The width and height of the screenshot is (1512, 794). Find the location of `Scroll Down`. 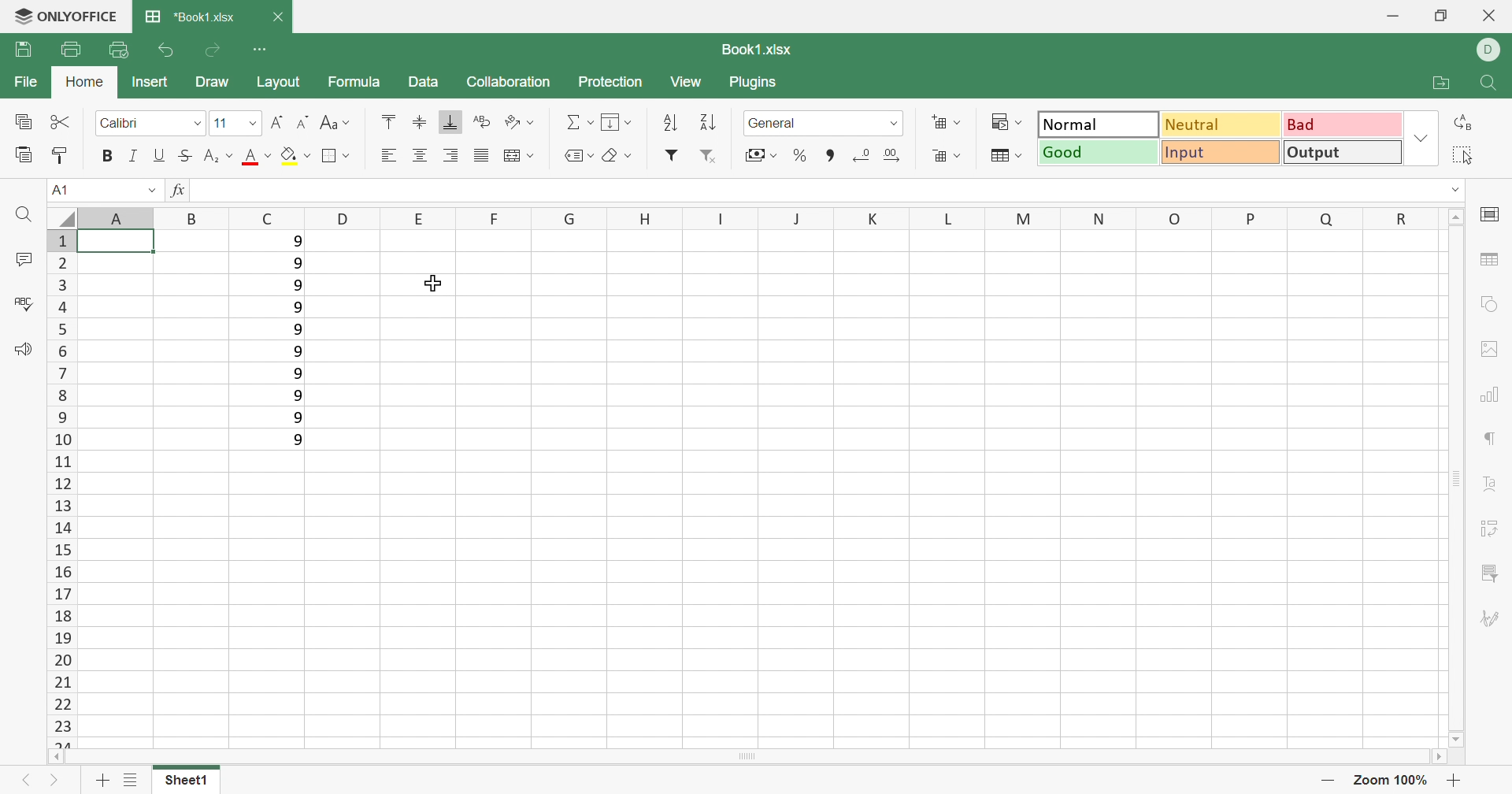

Scroll Down is located at coordinates (1456, 737).